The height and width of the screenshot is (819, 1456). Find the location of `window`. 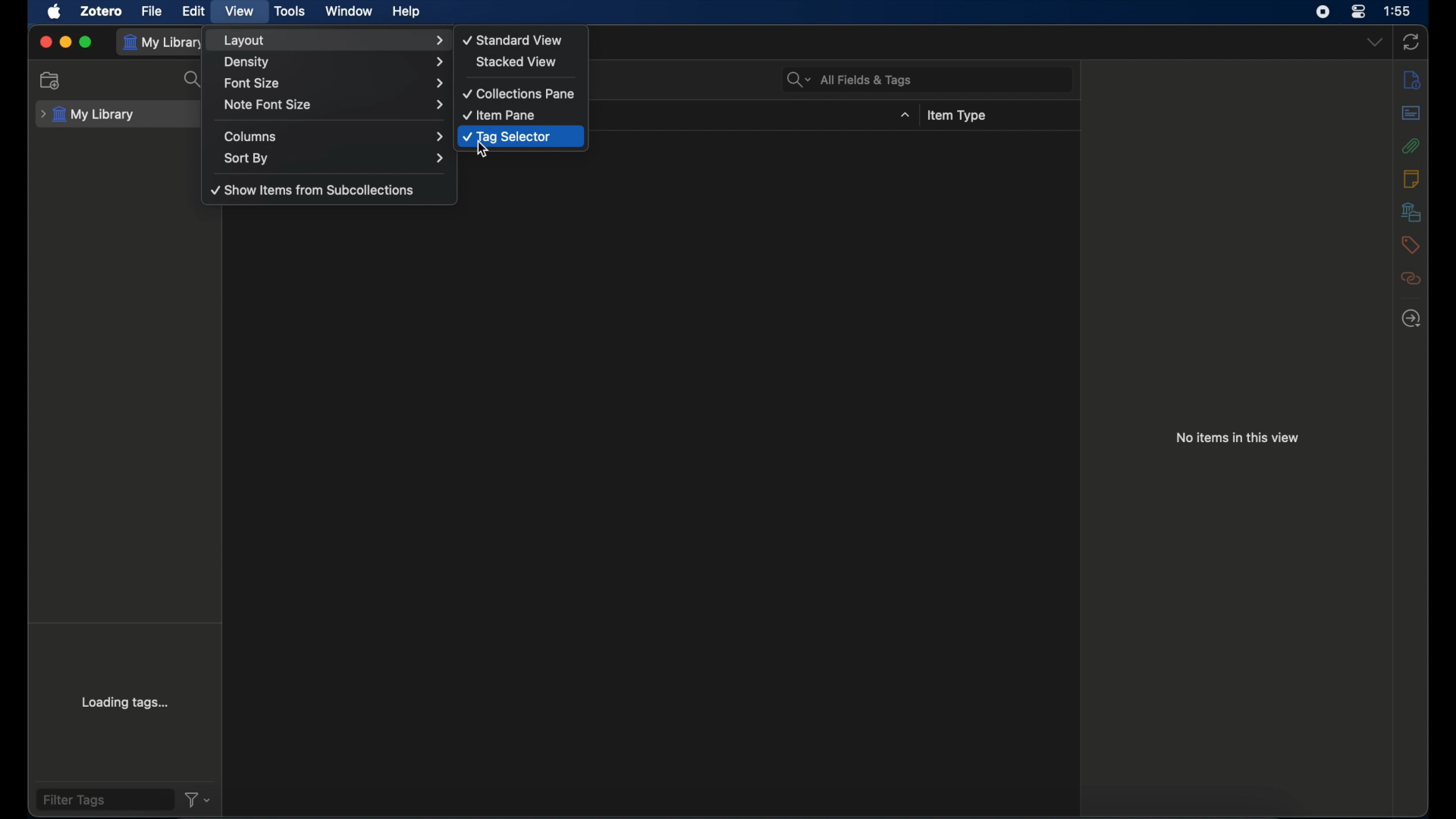

window is located at coordinates (350, 11).